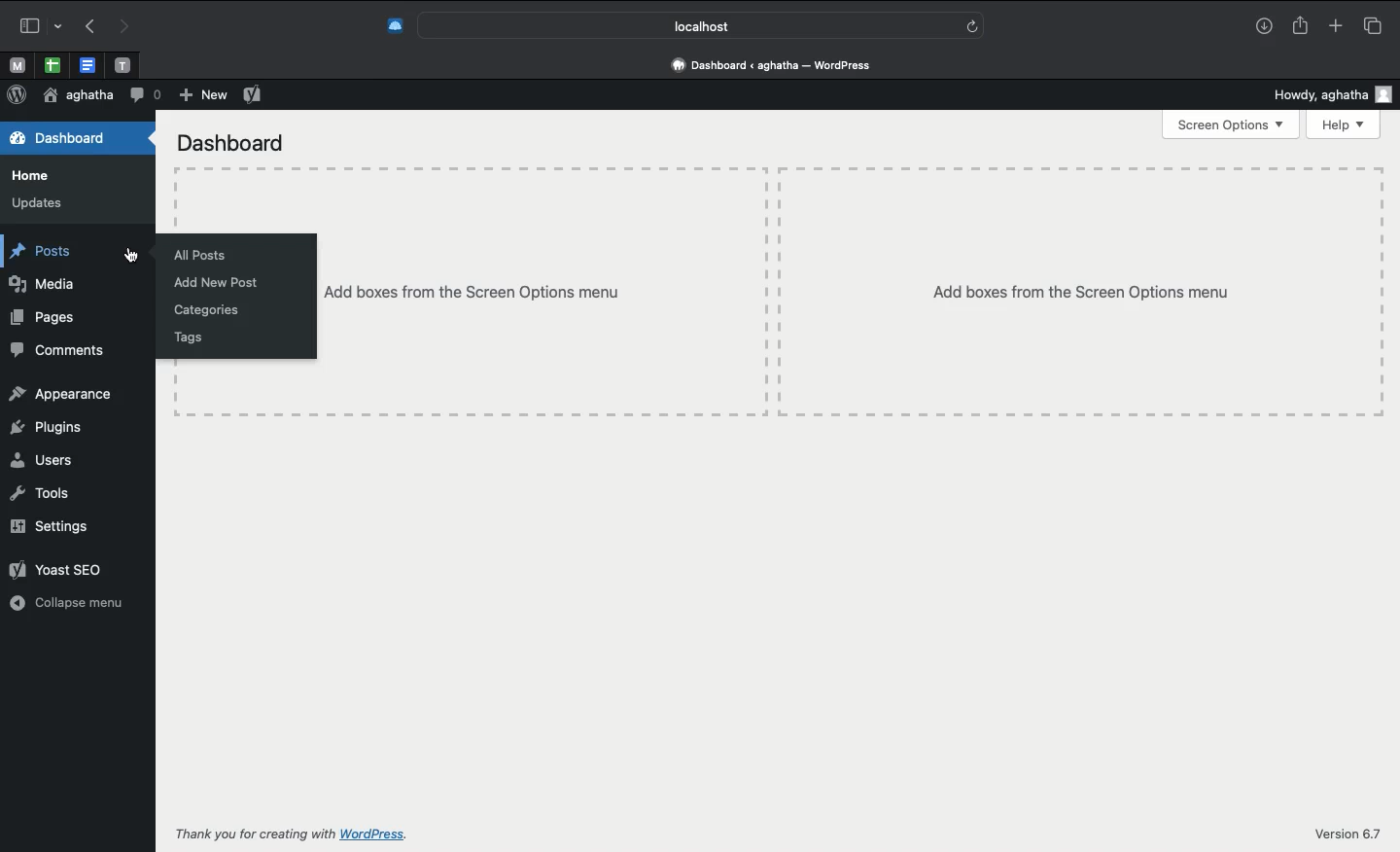 Image resolution: width=1400 pixels, height=852 pixels. I want to click on Howdy user, so click(1336, 96).